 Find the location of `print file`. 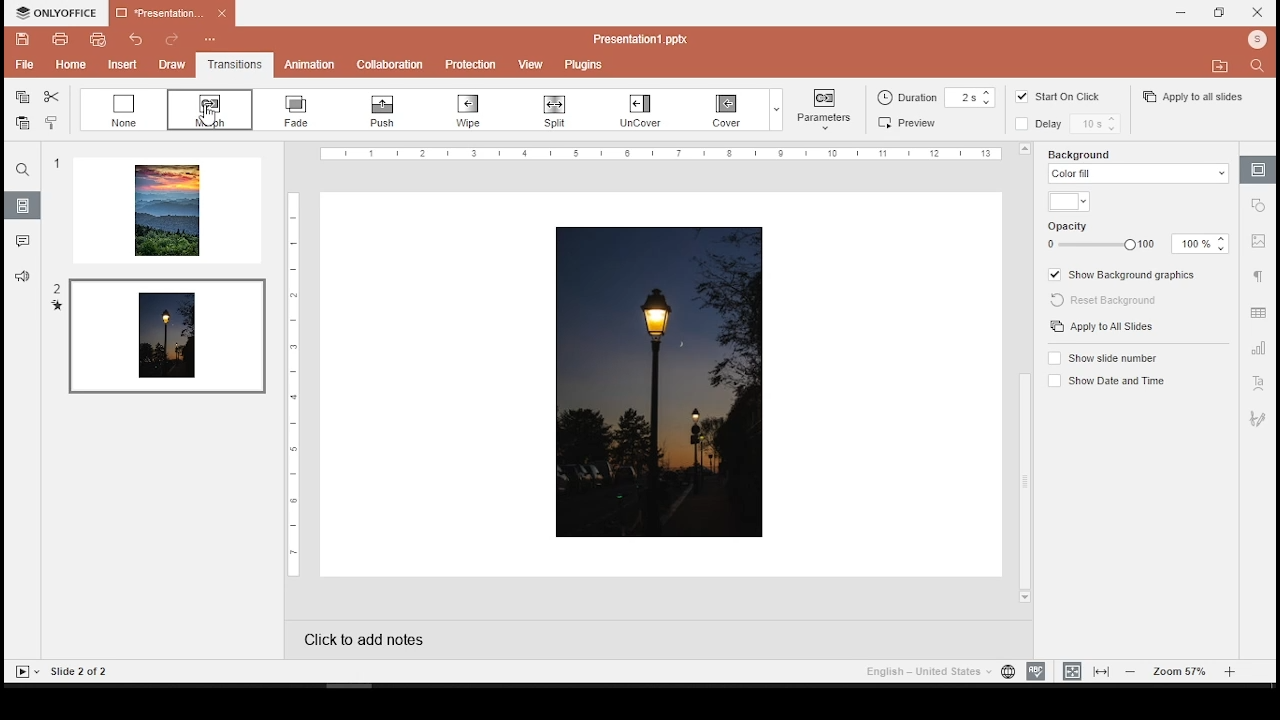

print file is located at coordinates (60, 40).